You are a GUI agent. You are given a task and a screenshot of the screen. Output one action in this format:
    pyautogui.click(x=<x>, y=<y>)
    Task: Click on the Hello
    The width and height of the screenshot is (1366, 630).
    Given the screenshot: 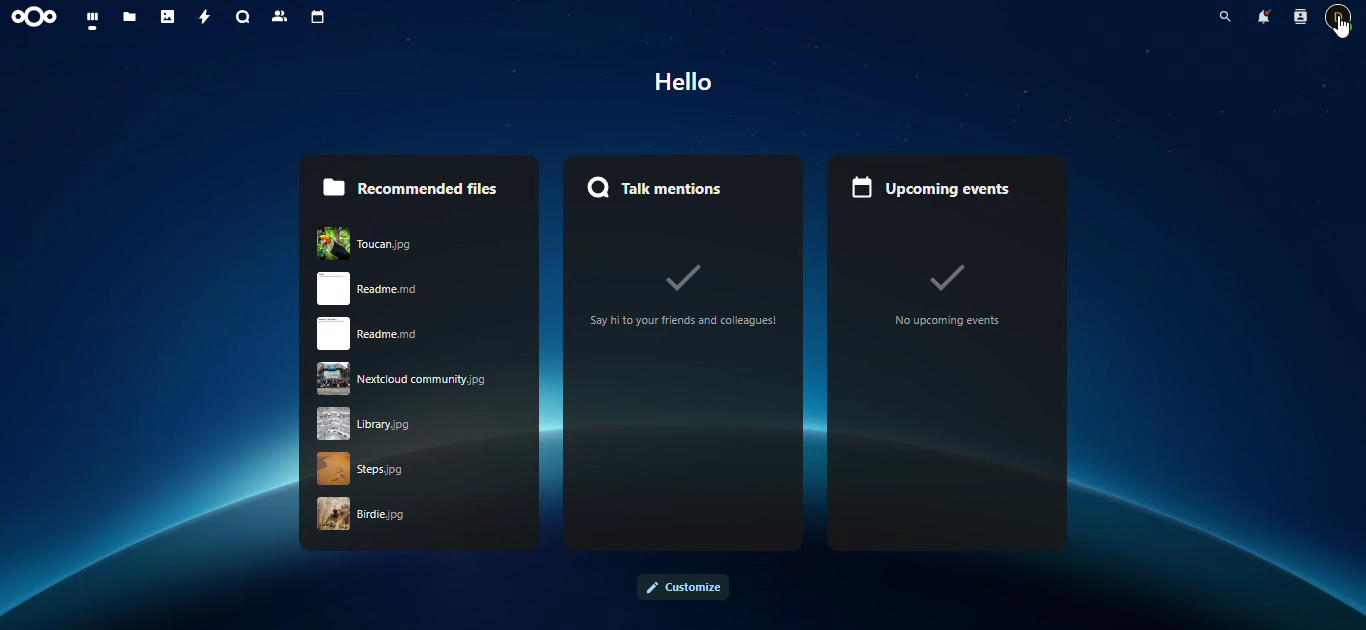 What is the action you would take?
    pyautogui.click(x=683, y=83)
    